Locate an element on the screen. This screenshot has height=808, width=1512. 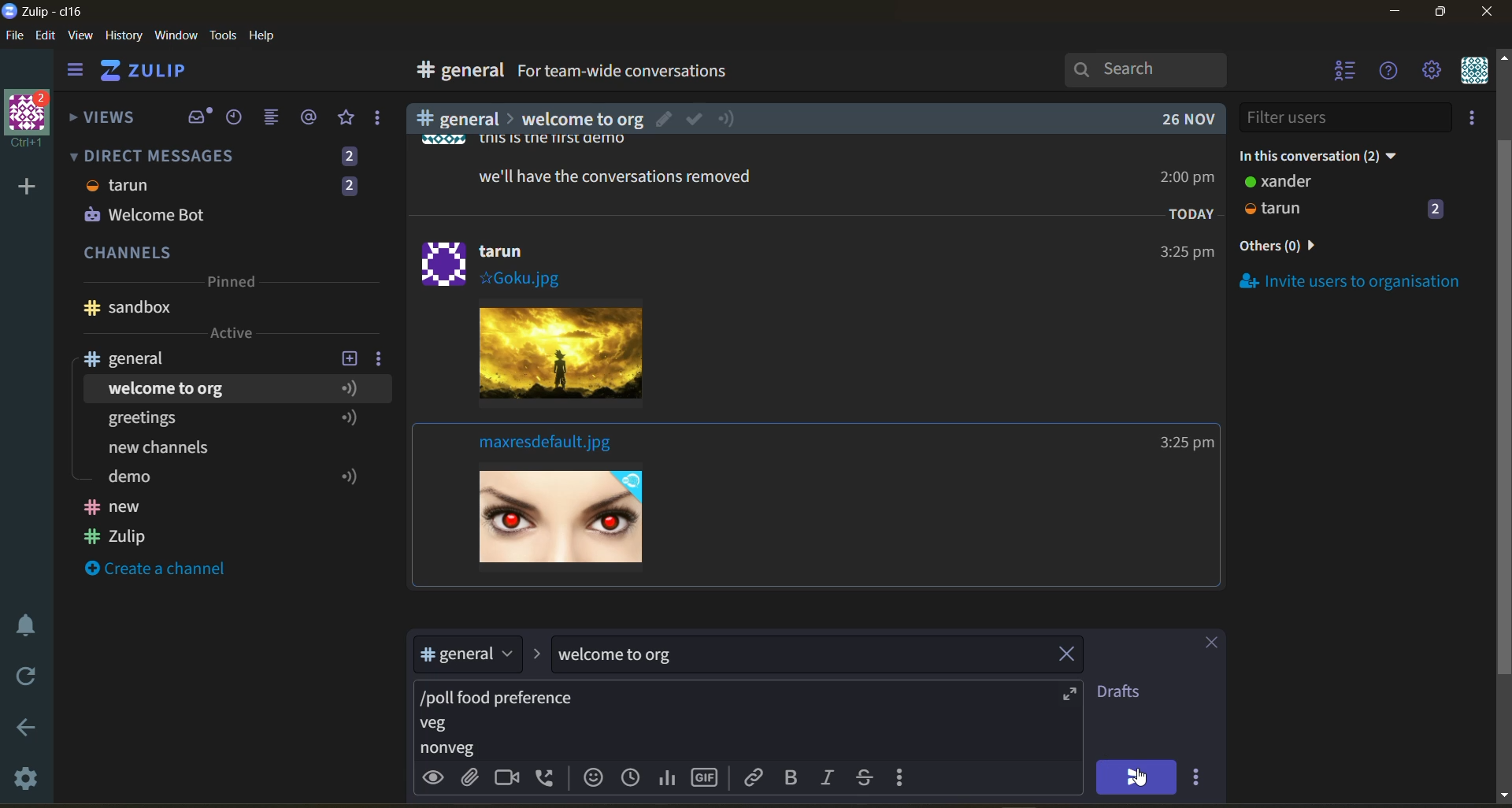
send options is located at coordinates (1198, 775).